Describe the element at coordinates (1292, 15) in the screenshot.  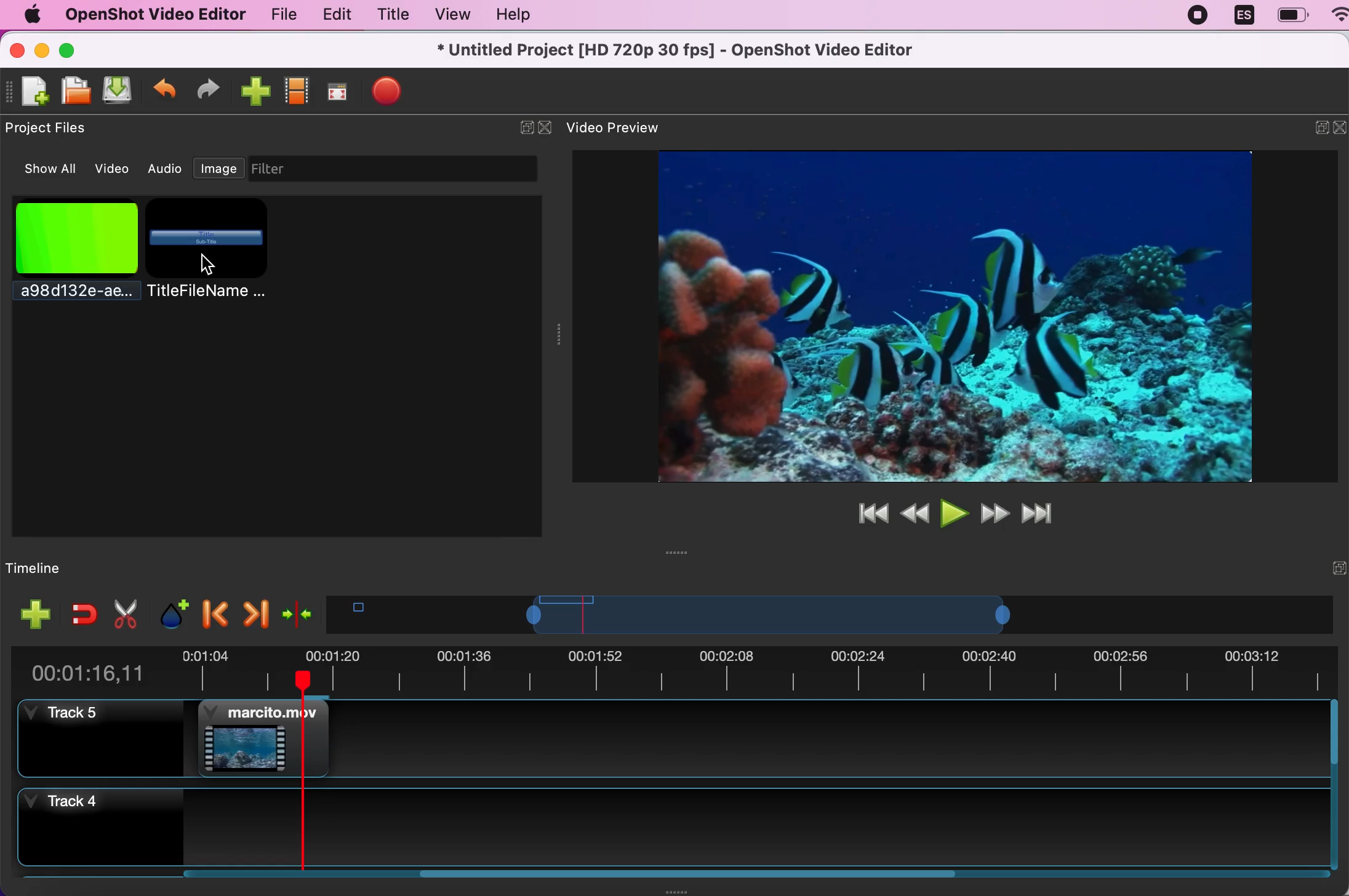
I see `battery` at that location.